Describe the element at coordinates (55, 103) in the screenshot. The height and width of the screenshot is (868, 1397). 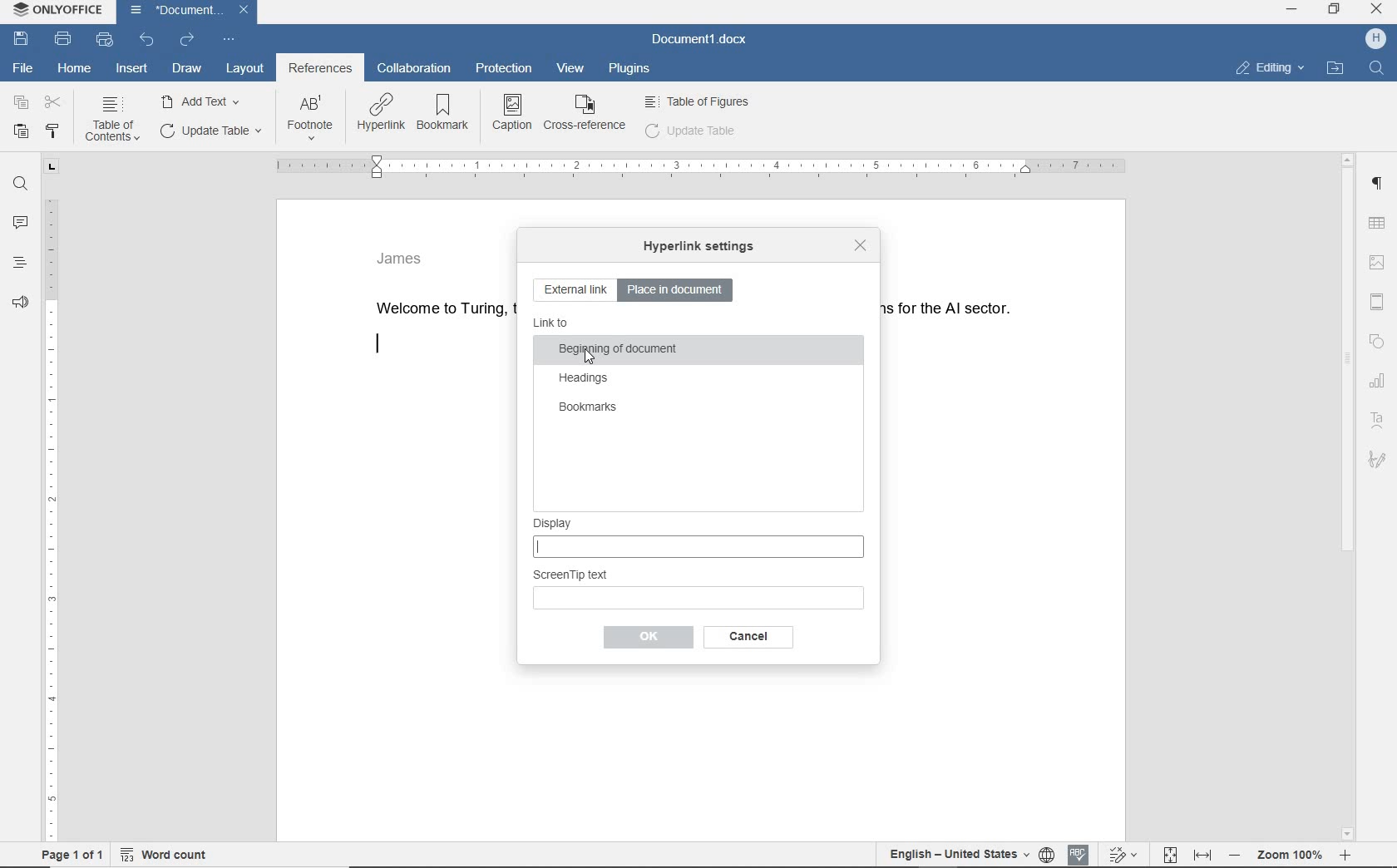
I see `cut` at that location.